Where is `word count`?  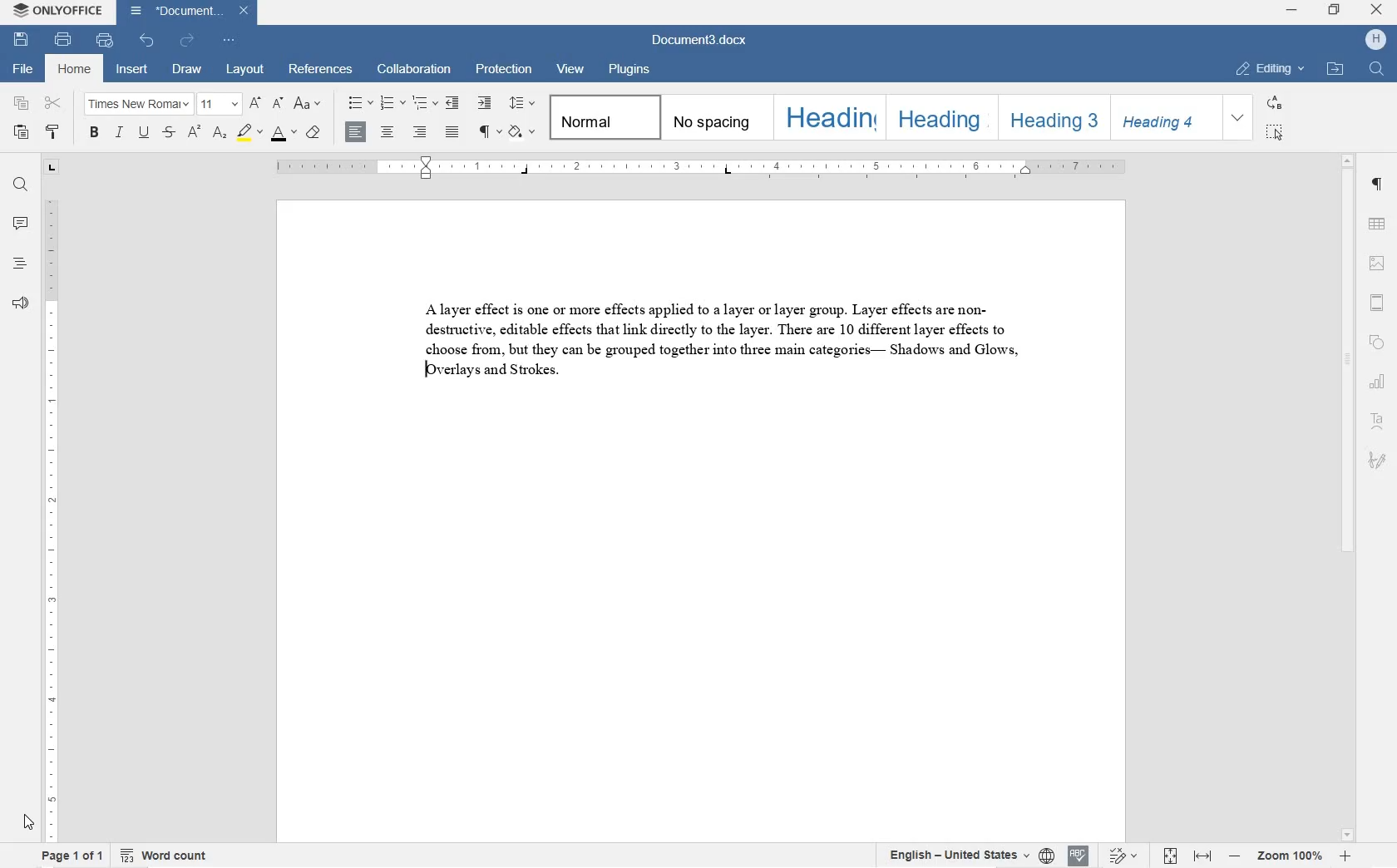
word count is located at coordinates (164, 856).